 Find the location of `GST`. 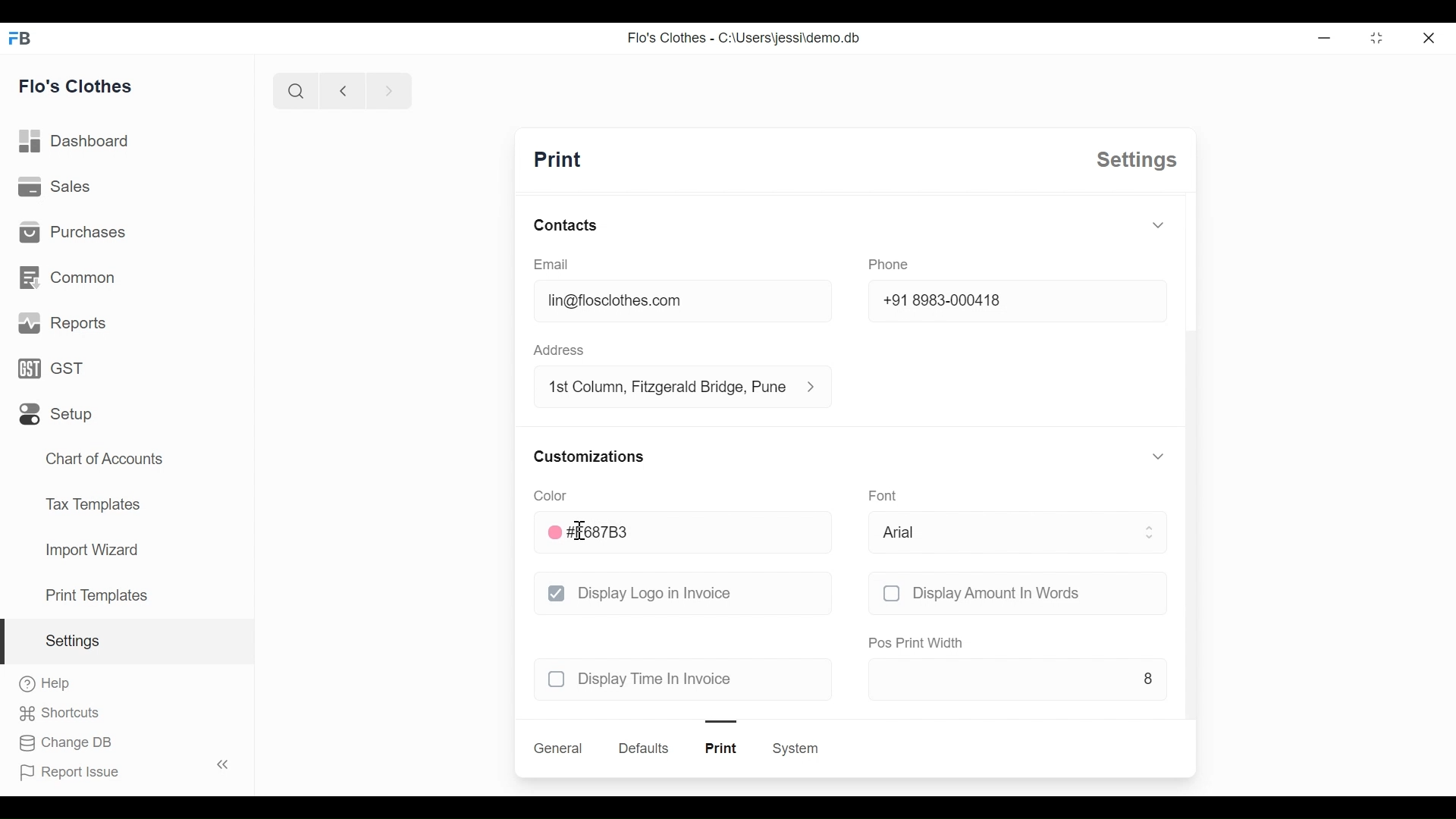

GST is located at coordinates (50, 368).